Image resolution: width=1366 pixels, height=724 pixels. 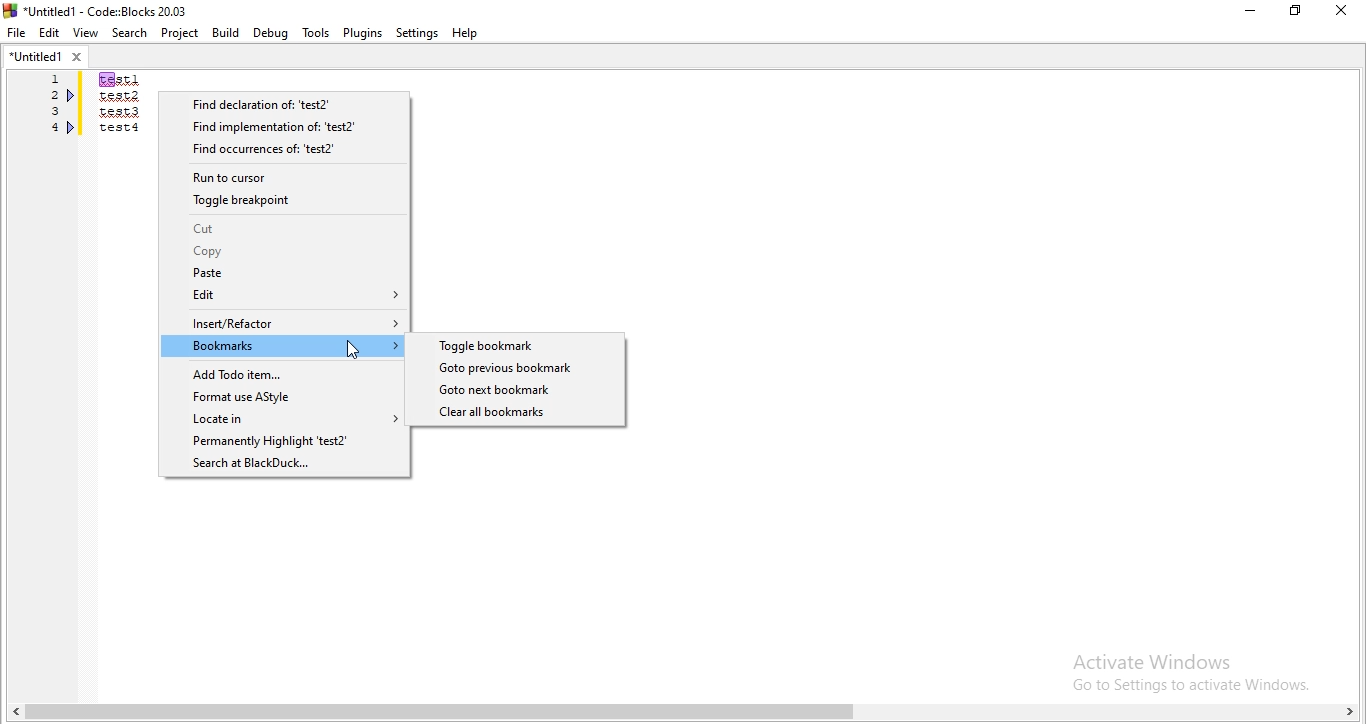 What do you see at coordinates (286, 151) in the screenshot?
I see `Find occurrences of: 'test2'` at bounding box center [286, 151].